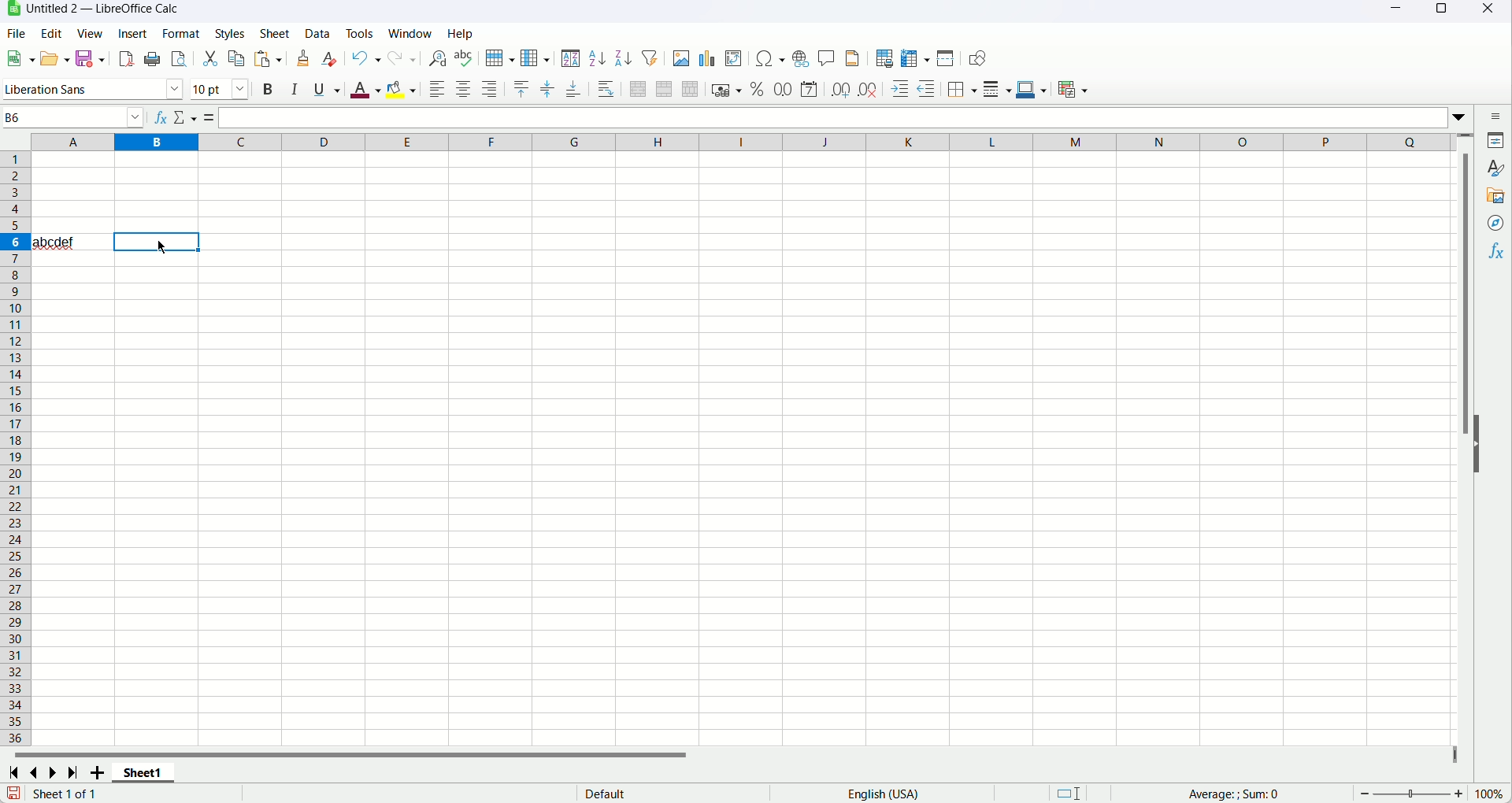 The width and height of the screenshot is (1512, 803). What do you see at coordinates (1494, 224) in the screenshot?
I see `navigator` at bounding box center [1494, 224].